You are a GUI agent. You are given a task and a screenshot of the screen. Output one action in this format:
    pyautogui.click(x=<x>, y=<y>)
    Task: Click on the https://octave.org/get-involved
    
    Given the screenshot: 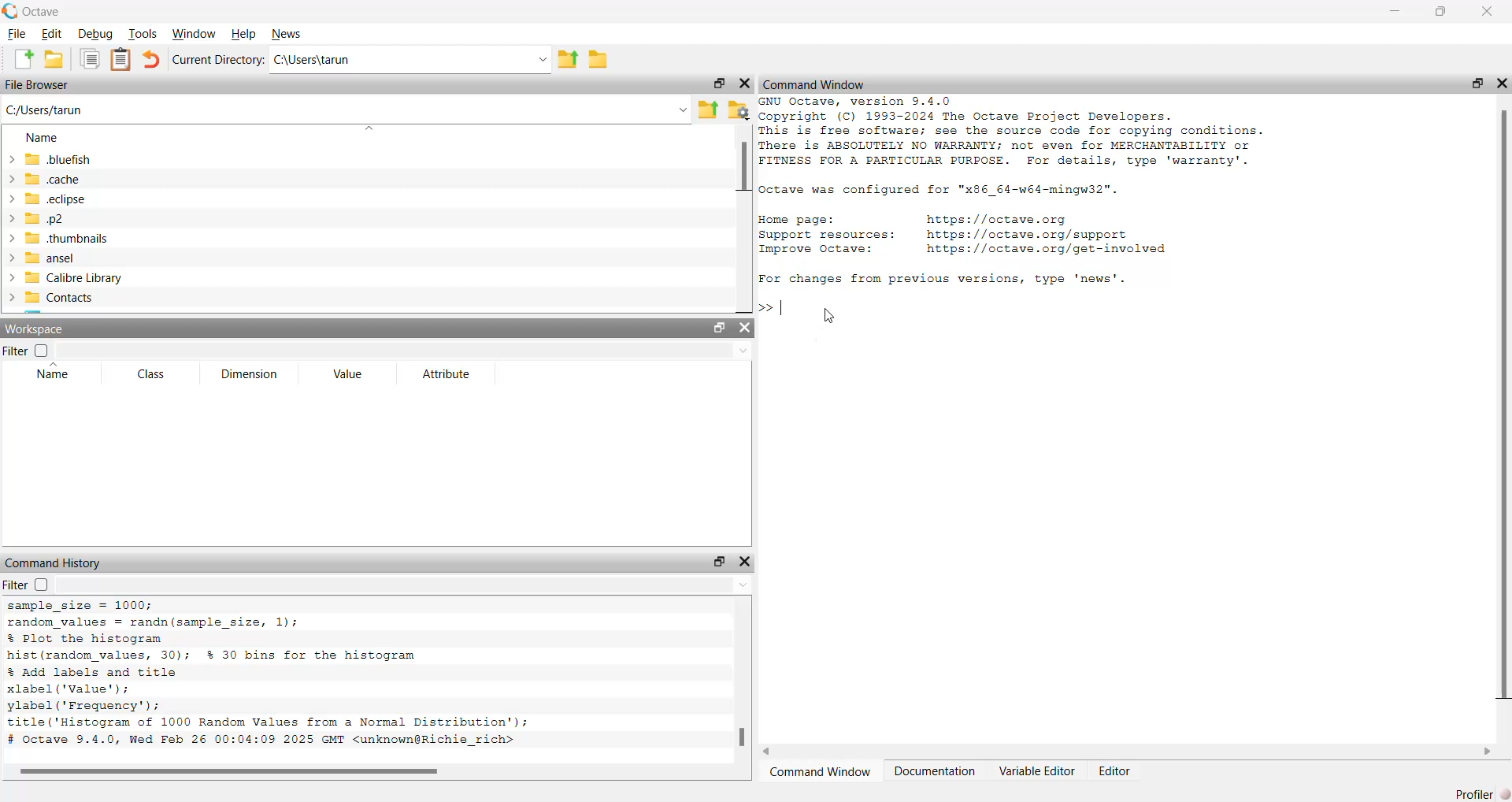 What is the action you would take?
    pyautogui.click(x=1045, y=249)
    